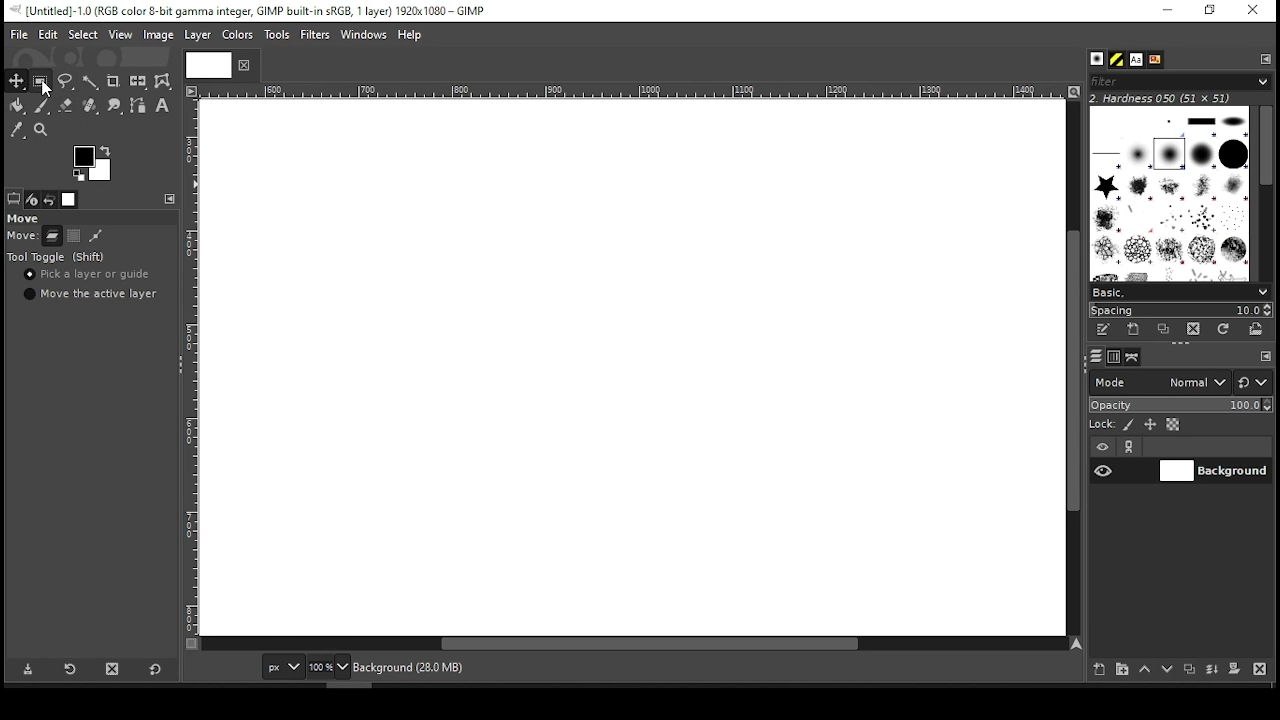 This screenshot has height=720, width=1280. What do you see at coordinates (162, 107) in the screenshot?
I see `text tool` at bounding box center [162, 107].